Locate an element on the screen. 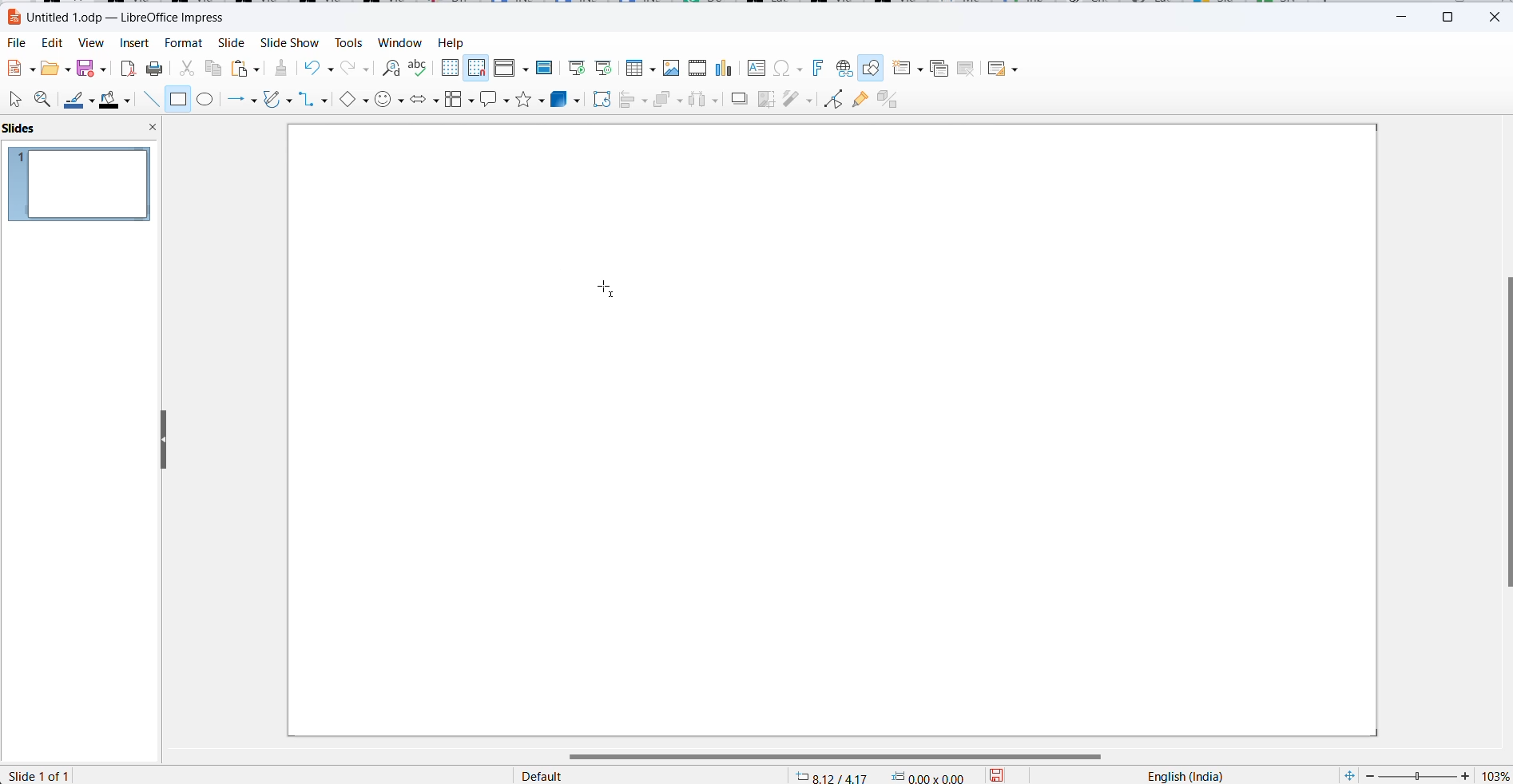  zoom and pan is located at coordinates (45, 101).